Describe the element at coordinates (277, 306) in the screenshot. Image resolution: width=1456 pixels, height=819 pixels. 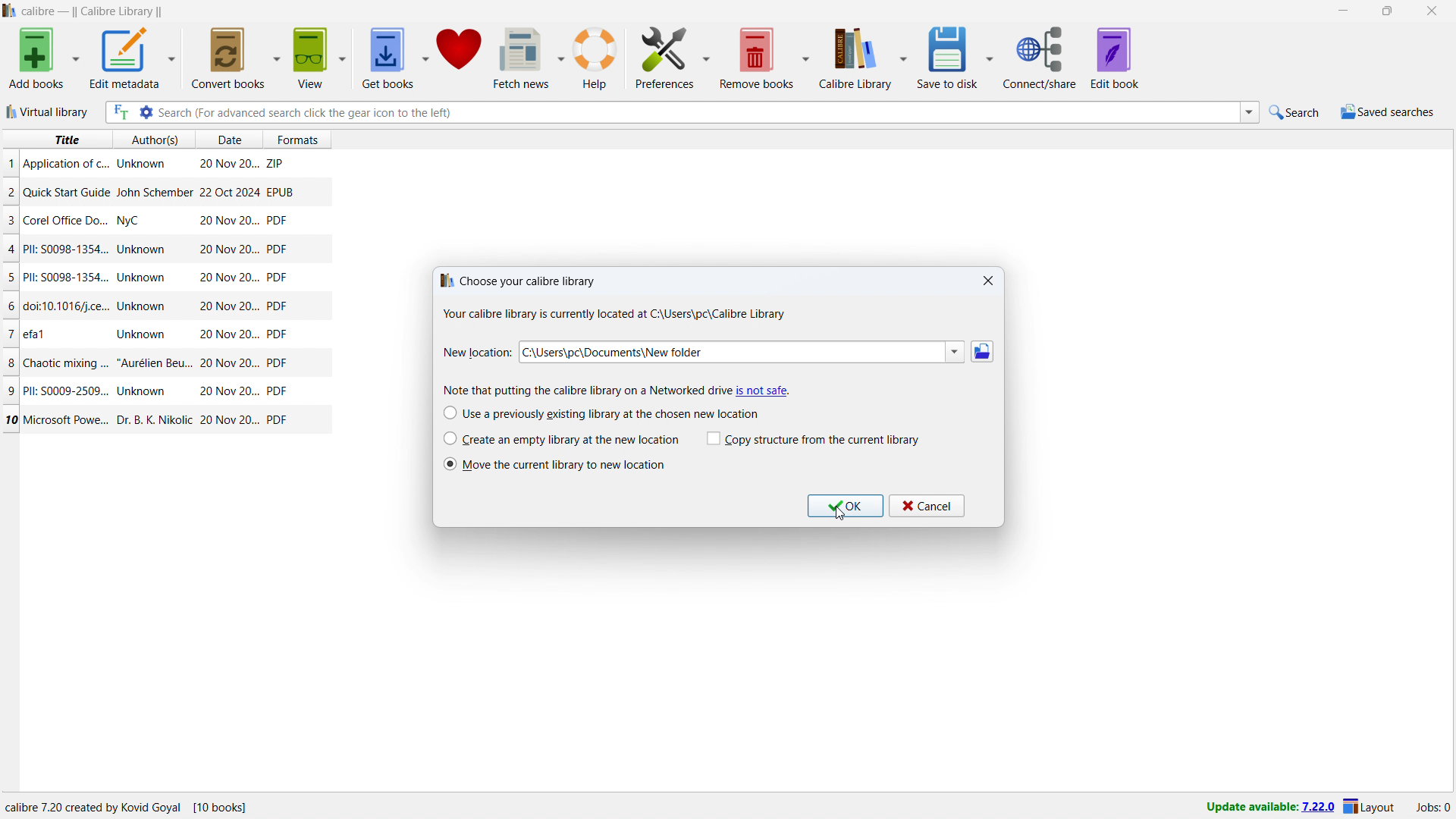
I see `PDF` at that location.